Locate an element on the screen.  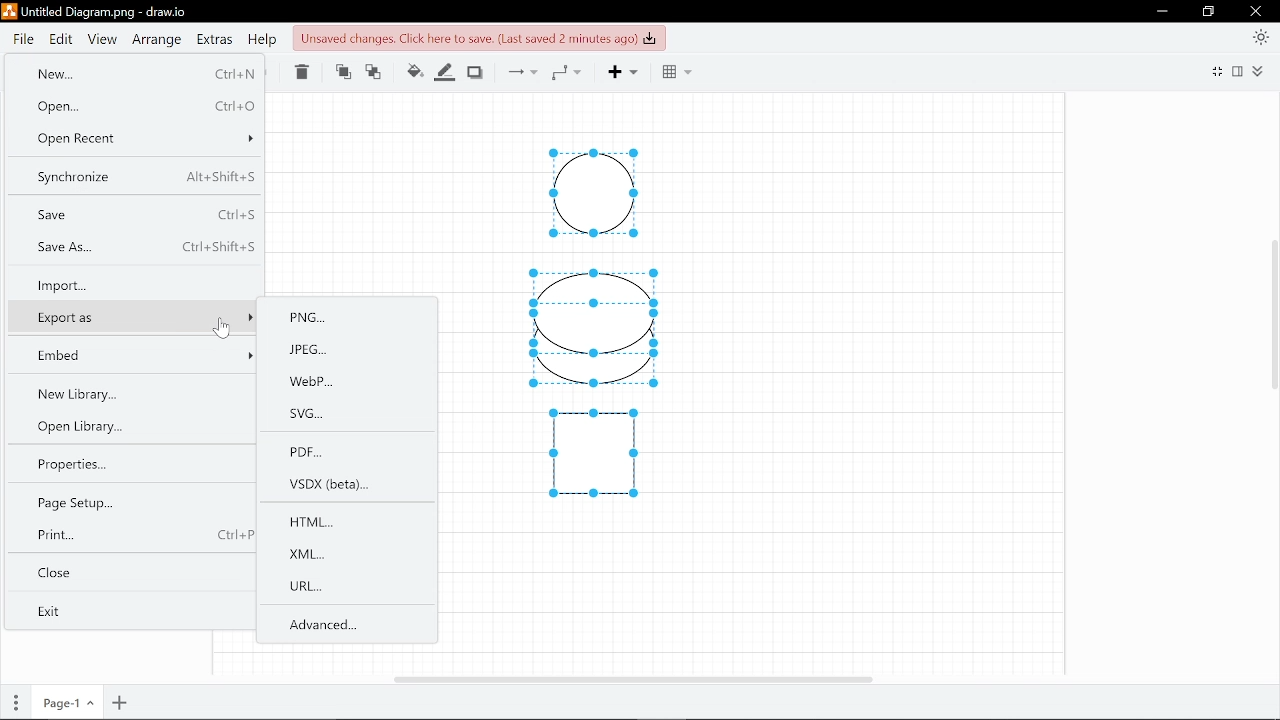
VSDX(beta) is located at coordinates (344, 487).